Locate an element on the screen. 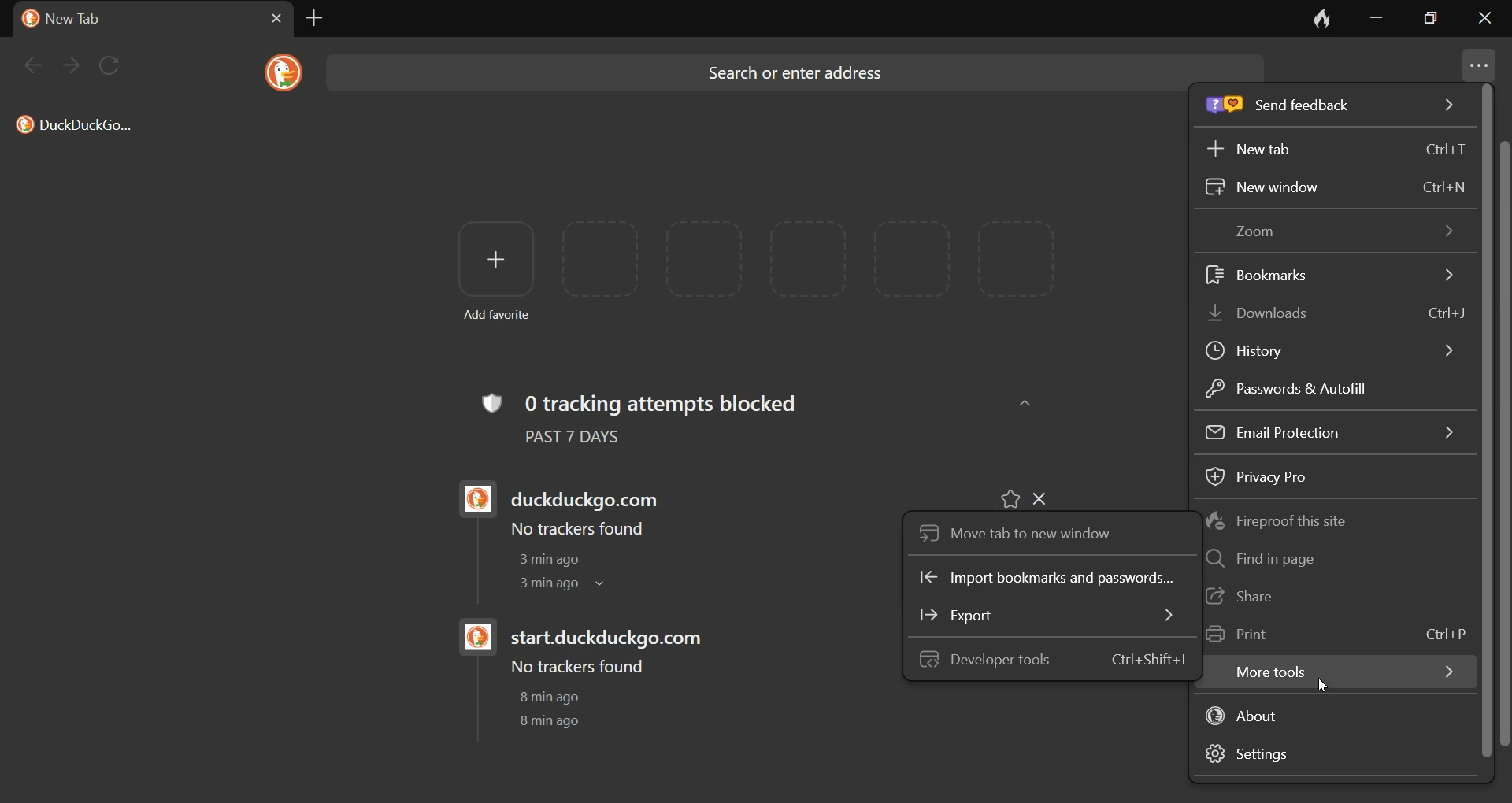 The height and width of the screenshot is (803, 1512). start.duckduckgo.com is located at coordinates (617, 636).